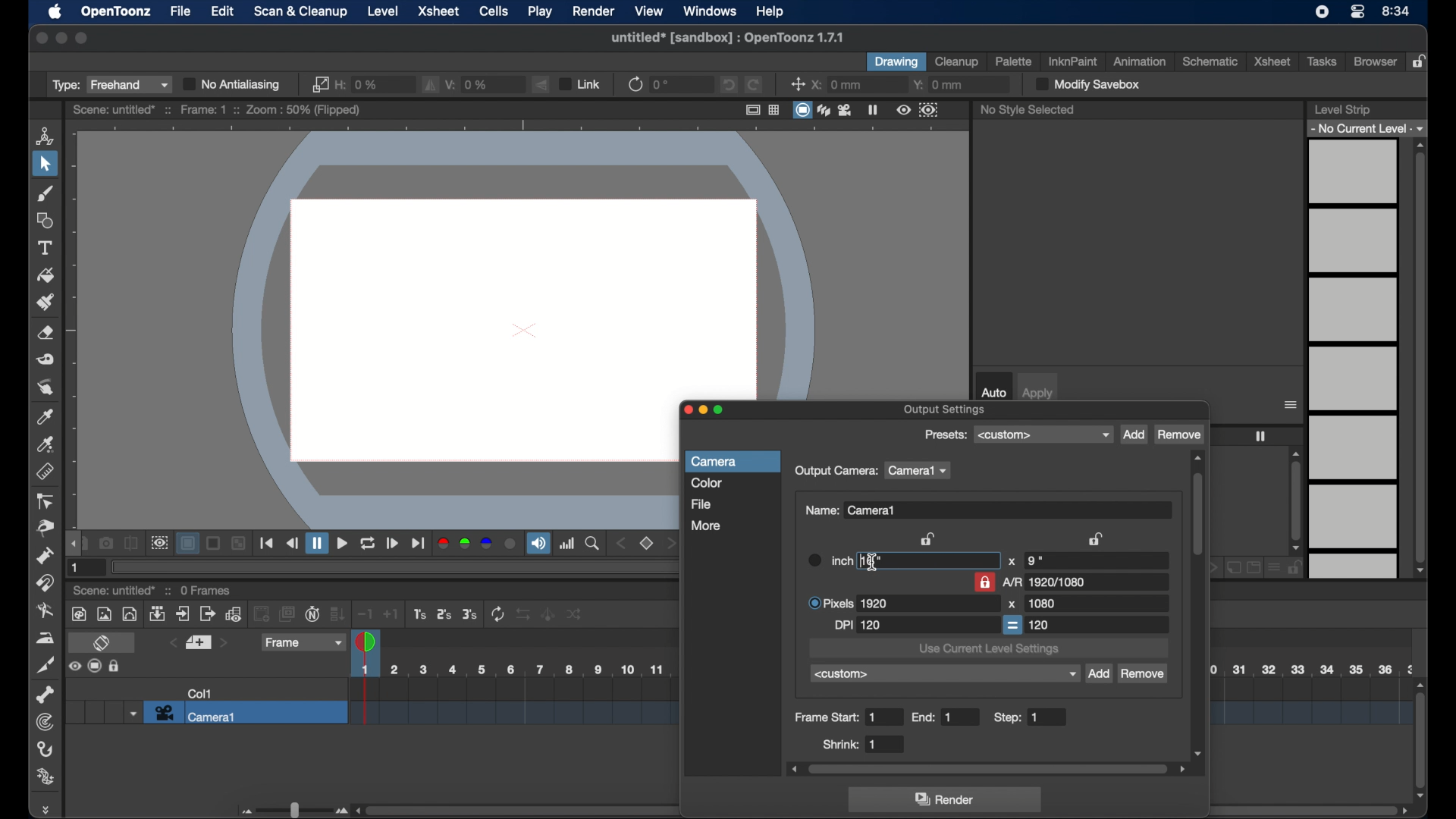 The height and width of the screenshot is (819, 1456). I want to click on v, so click(469, 83).